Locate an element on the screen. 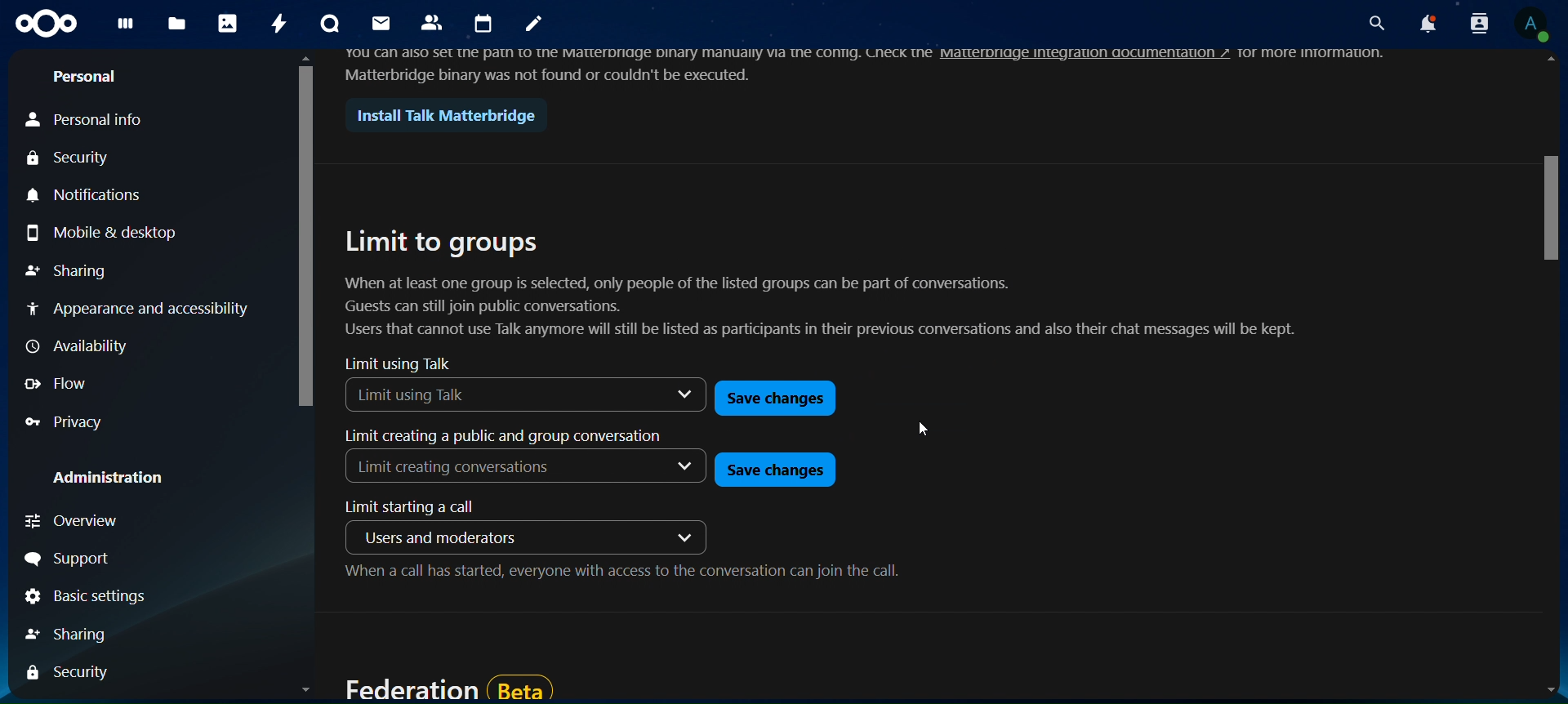  notifications is located at coordinates (1423, 25).